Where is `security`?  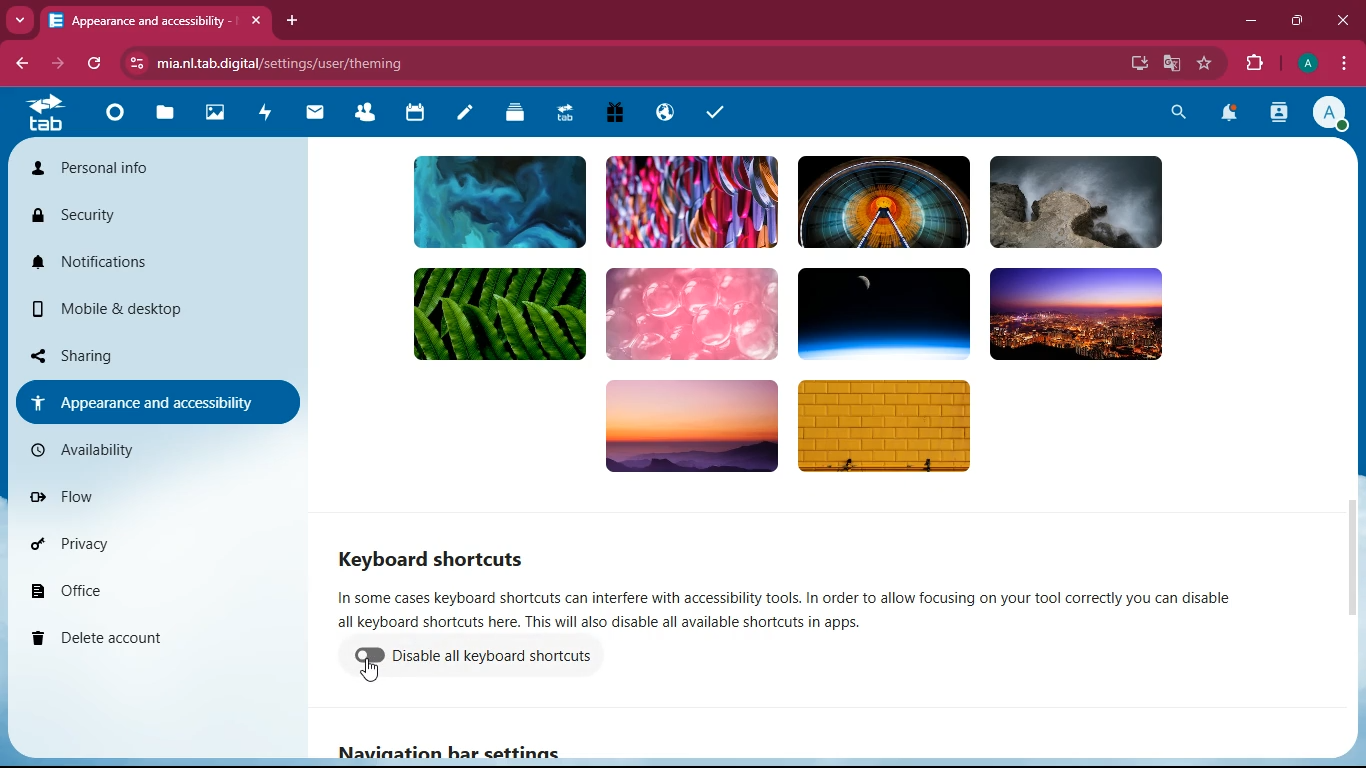
security is located at coordinates (131, 218).